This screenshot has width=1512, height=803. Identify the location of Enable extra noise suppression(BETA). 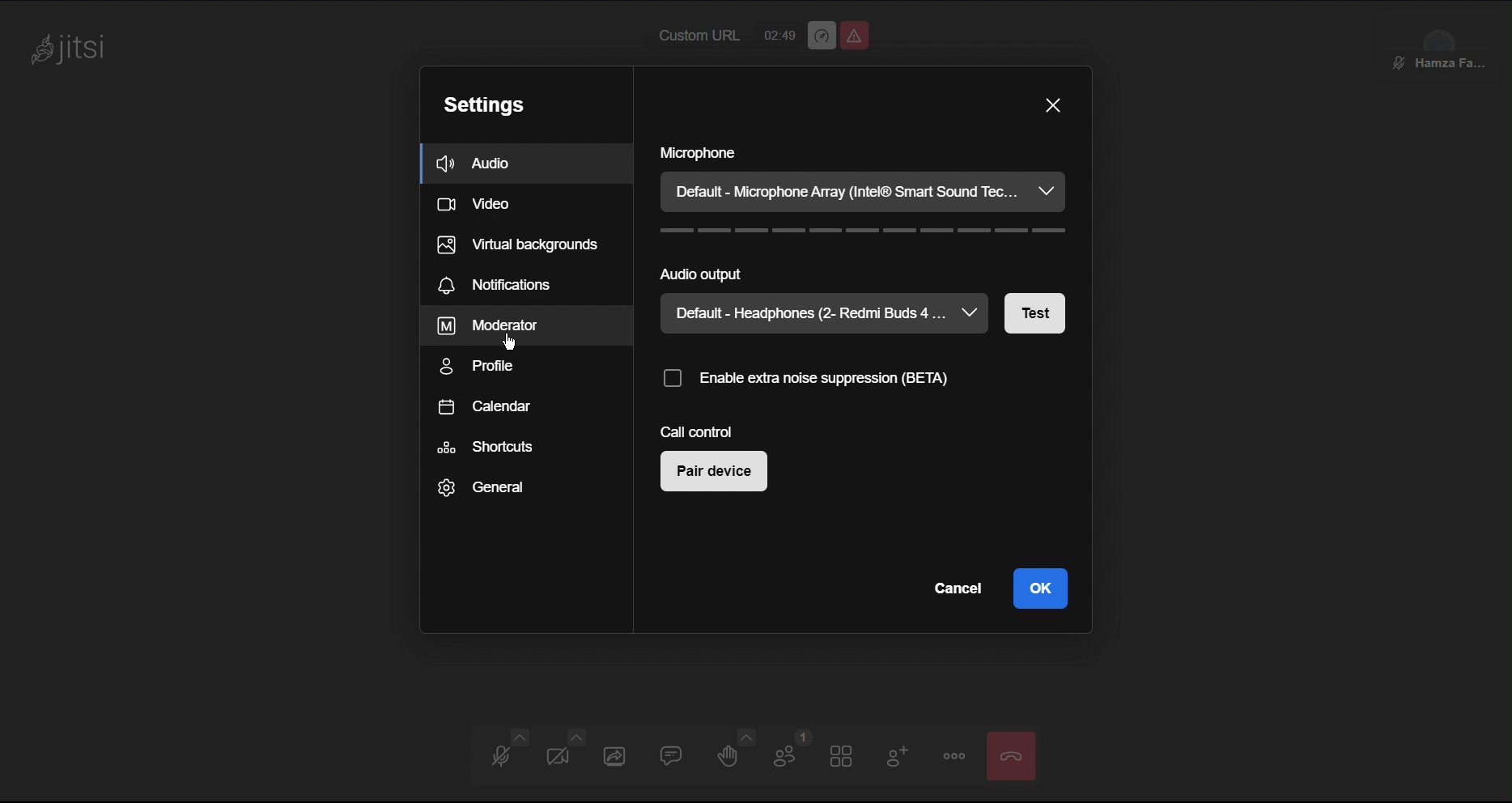
(841, 378).